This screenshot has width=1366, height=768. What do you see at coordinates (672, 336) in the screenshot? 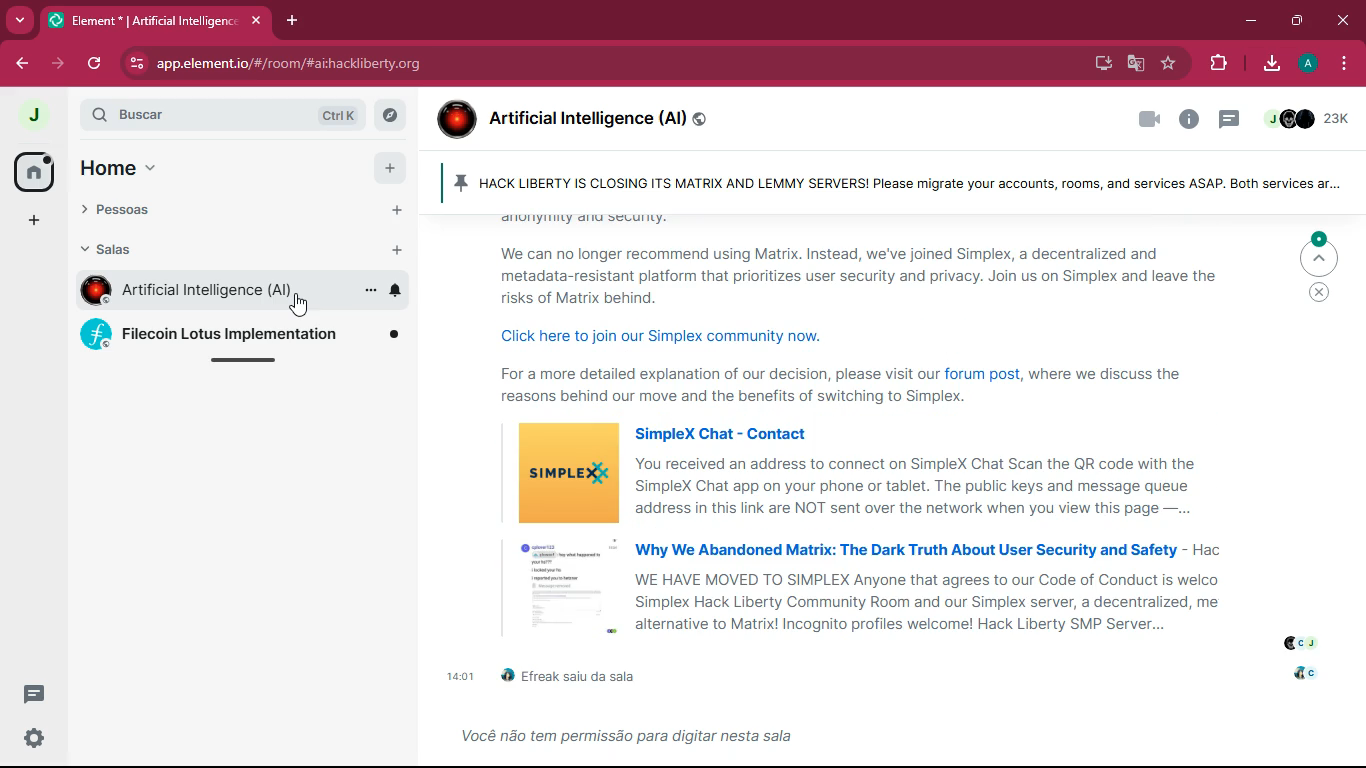
I see `click here to join our simplex community now.` at bounding box center [672, 336].